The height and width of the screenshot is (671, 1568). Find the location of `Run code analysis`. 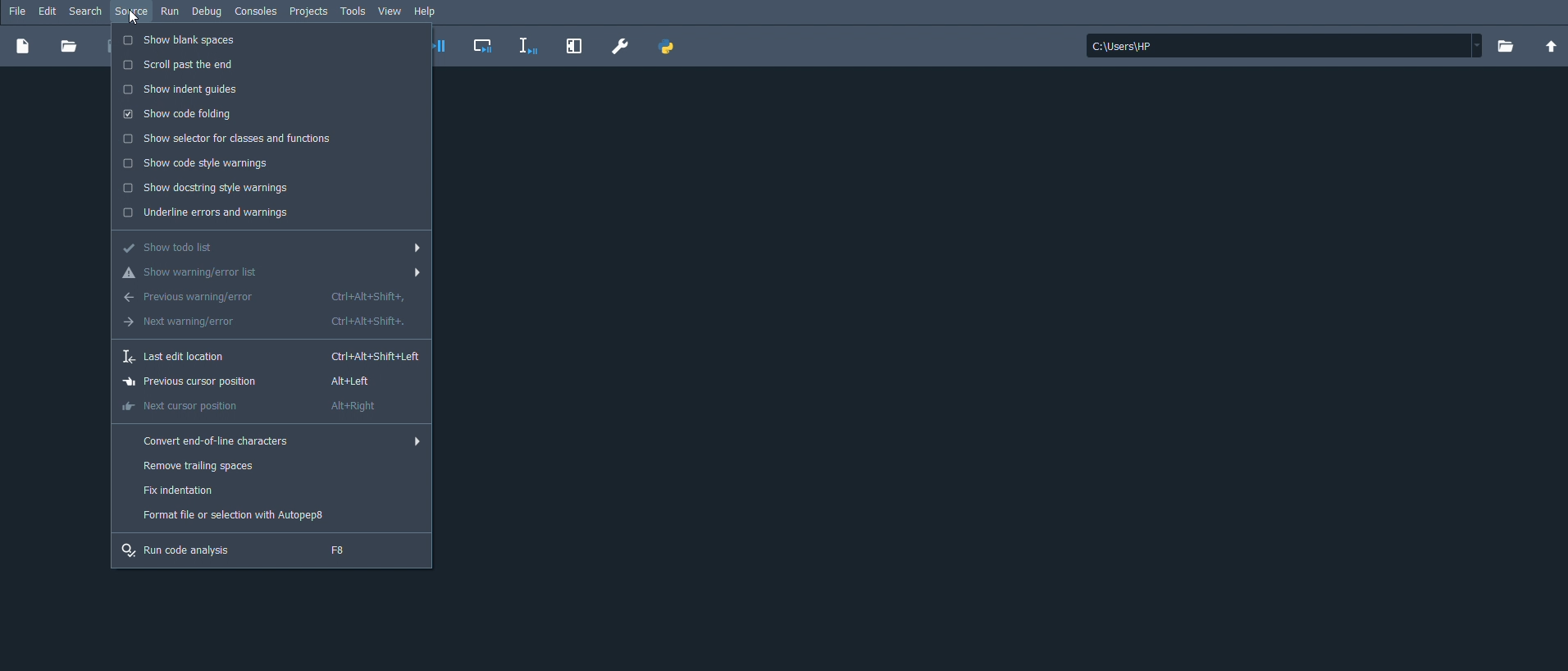

Run code analysis is located at coordinates (239, 550).